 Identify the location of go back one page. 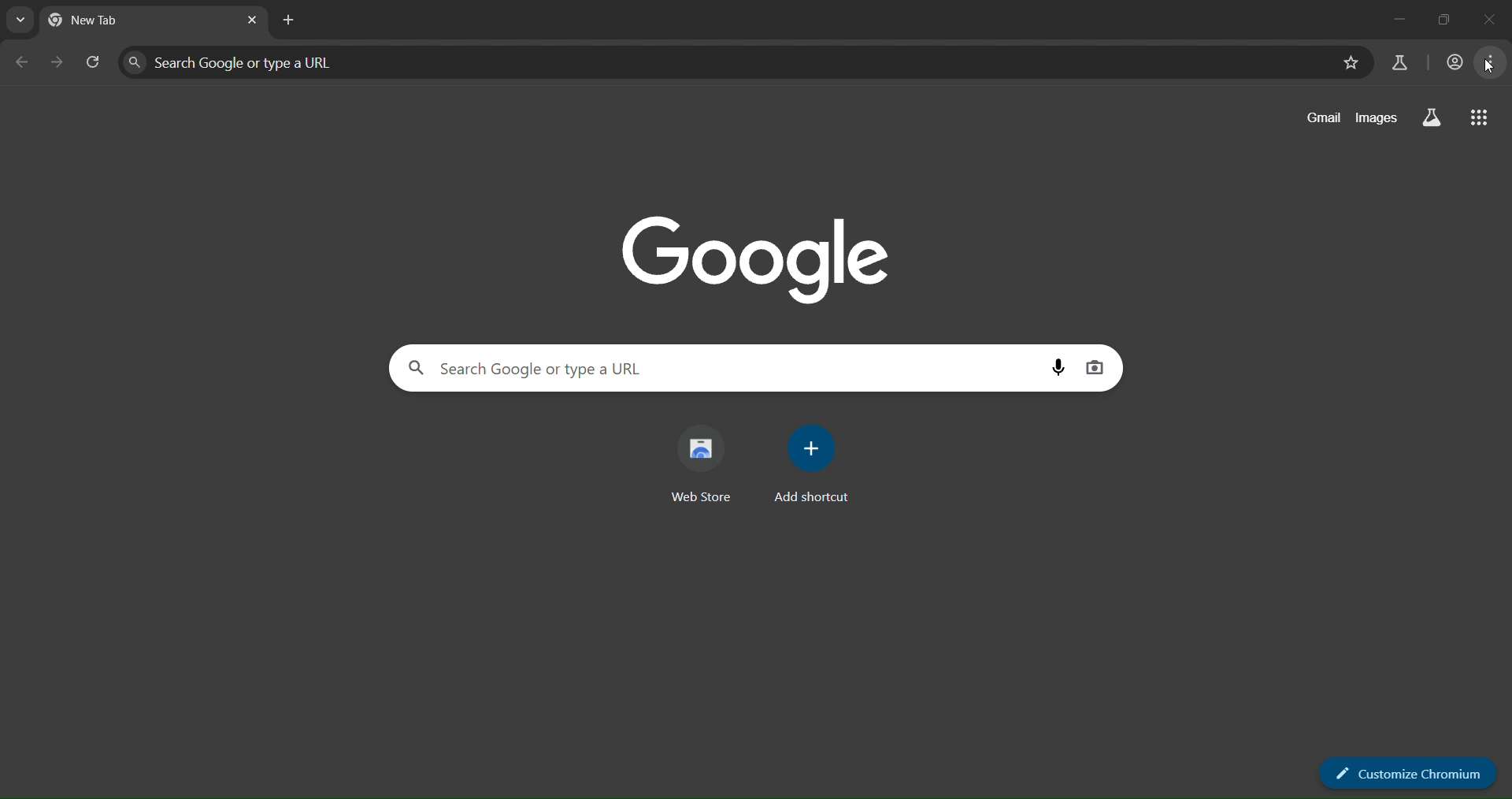
(23, 63).